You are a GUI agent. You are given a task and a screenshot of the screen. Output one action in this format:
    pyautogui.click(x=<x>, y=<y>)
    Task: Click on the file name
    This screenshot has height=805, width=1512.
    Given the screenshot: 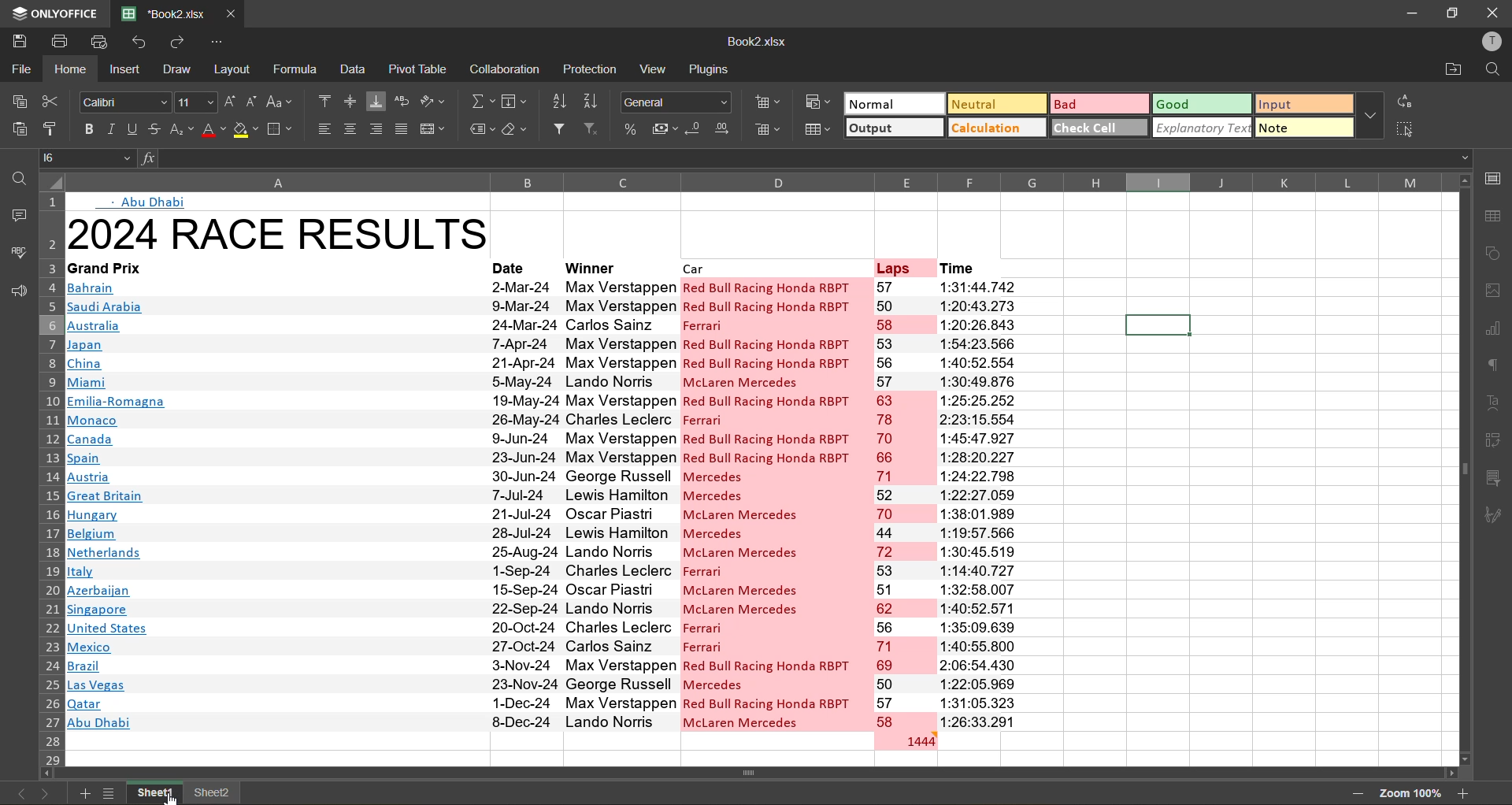 What is the action you would take?
    pyautogui.click(x=754, y=41)
    